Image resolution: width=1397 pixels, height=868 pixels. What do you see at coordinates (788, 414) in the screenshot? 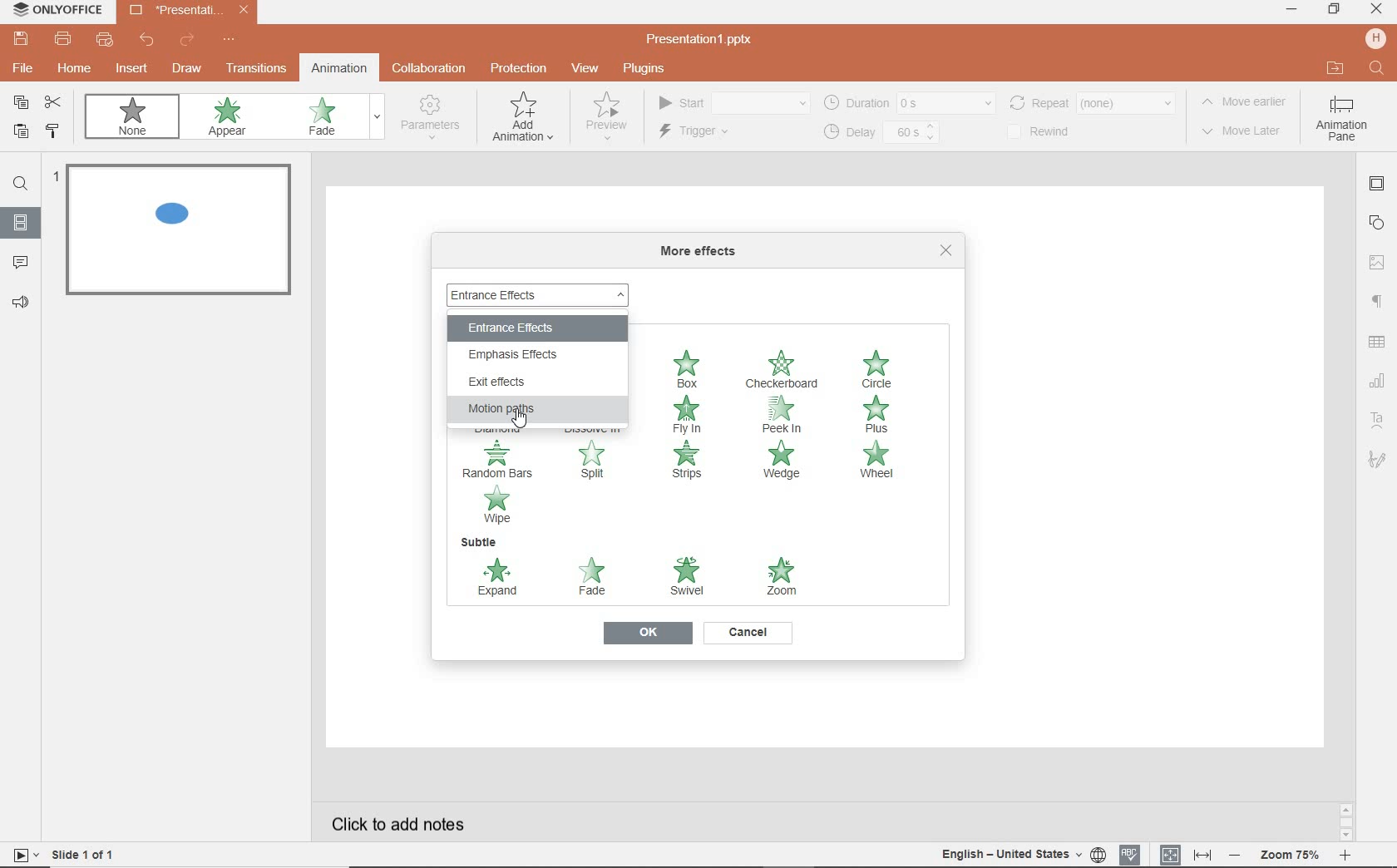
I see `PEEK IN` at bounding box center [788, 414].